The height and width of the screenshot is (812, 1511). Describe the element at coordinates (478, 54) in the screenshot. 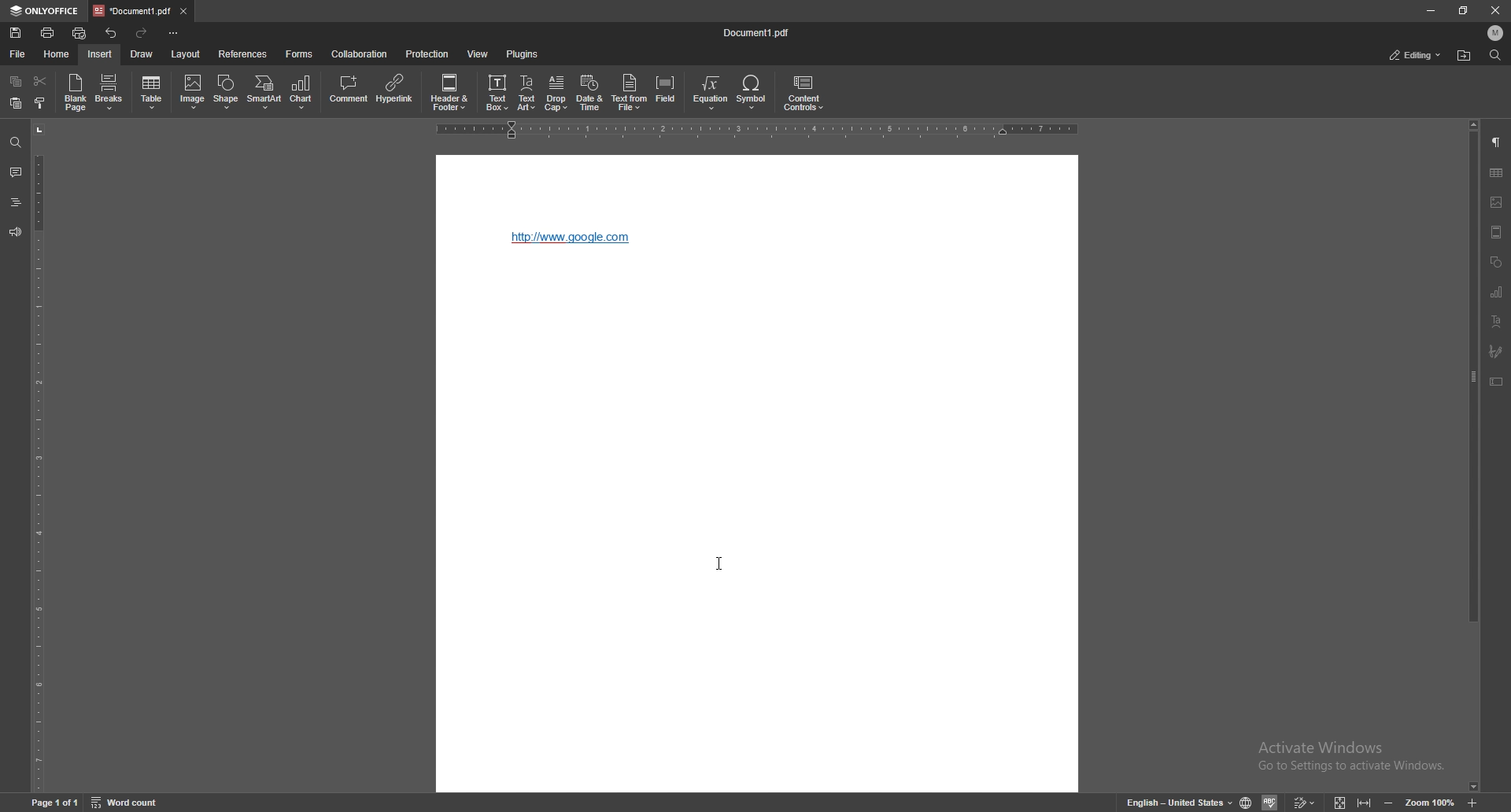

I see `view` at that location.